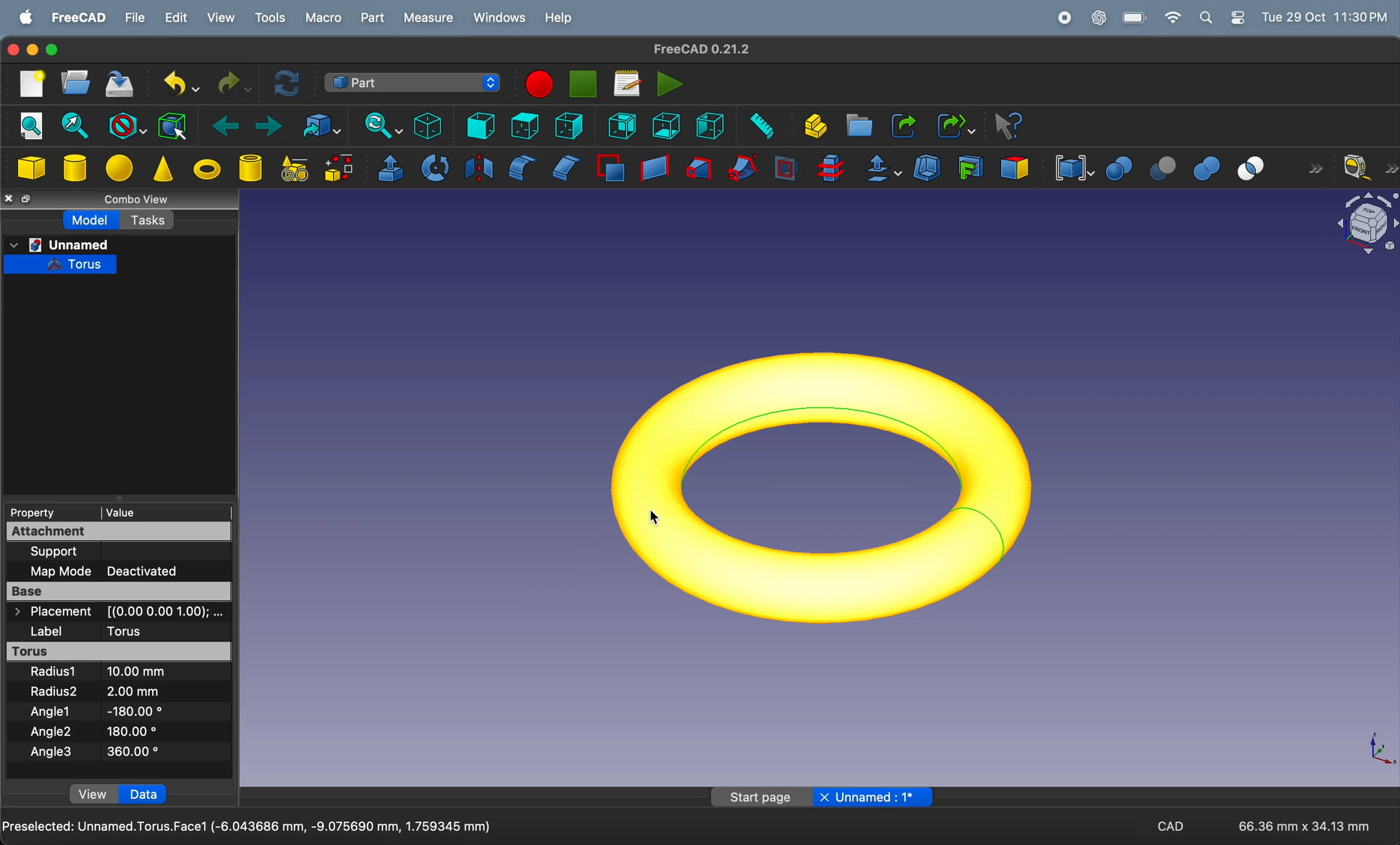  What do you see at coordinates (71, 127) in the screenshot?
I see `fit section` at bounding box center [71, 127].